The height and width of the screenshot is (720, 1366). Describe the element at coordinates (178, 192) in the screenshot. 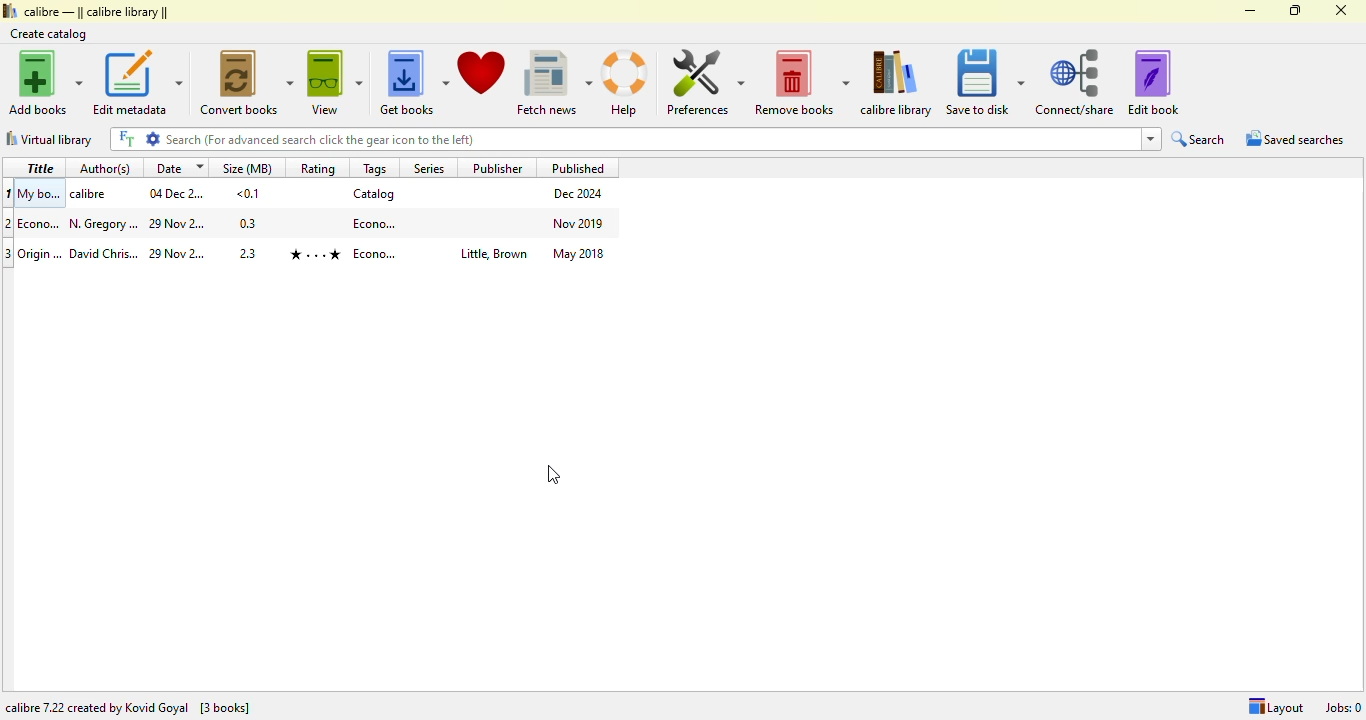

I see `04 December 2024` at that location.